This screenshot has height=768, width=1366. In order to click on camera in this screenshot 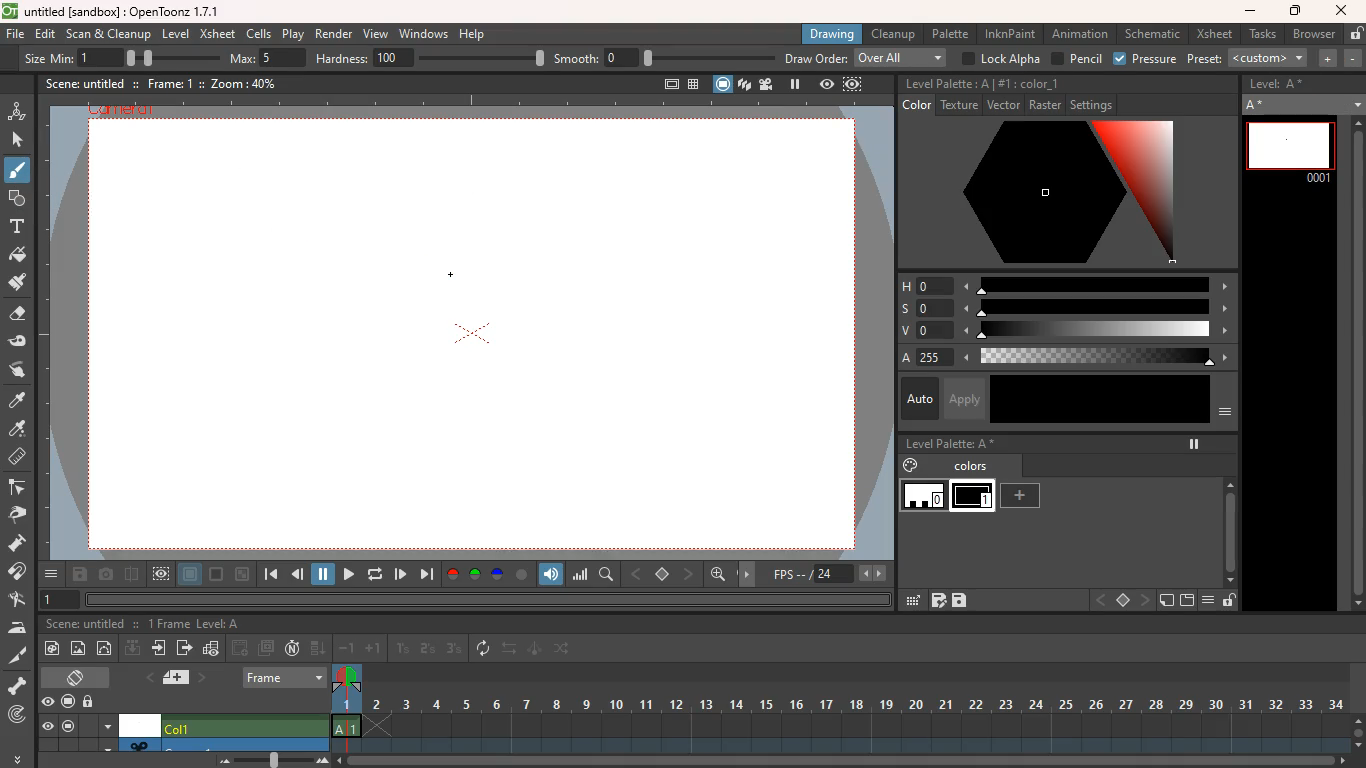, I will do `click(106, 575)`.